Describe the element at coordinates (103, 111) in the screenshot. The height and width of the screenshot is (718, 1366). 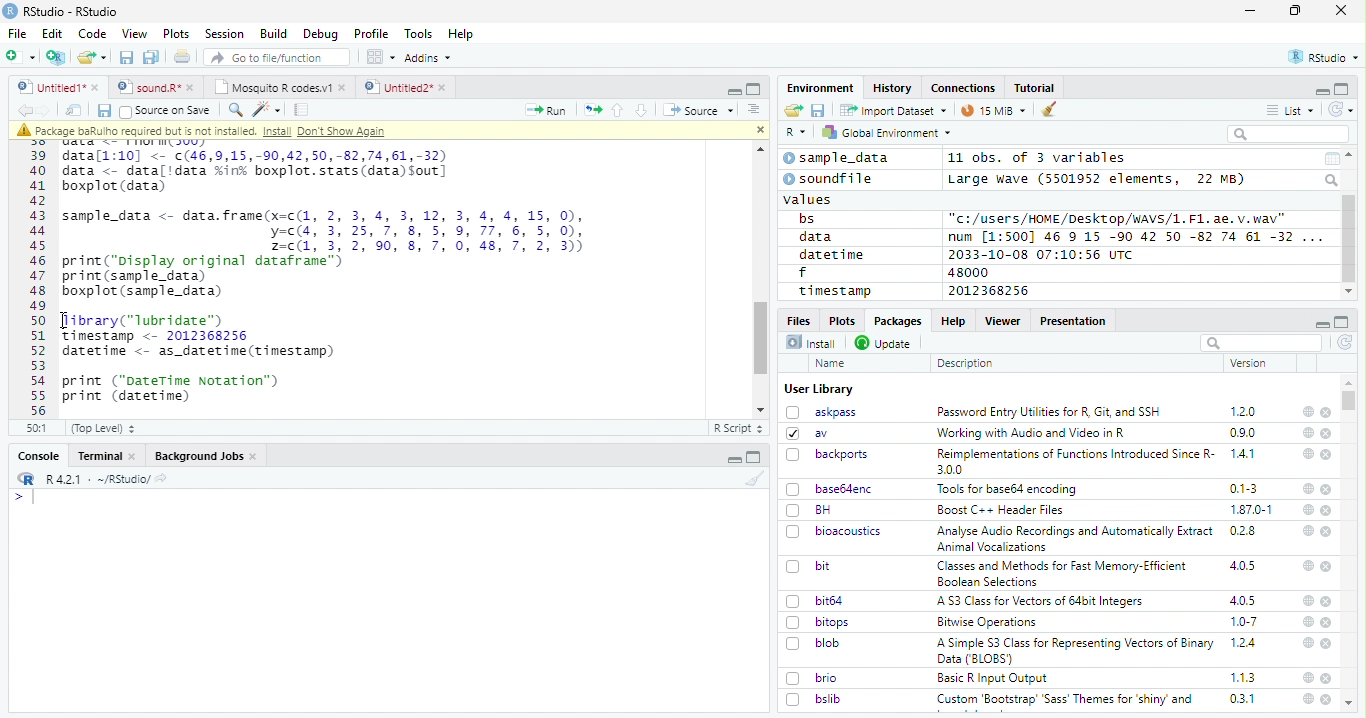
I see `Save` at that location.